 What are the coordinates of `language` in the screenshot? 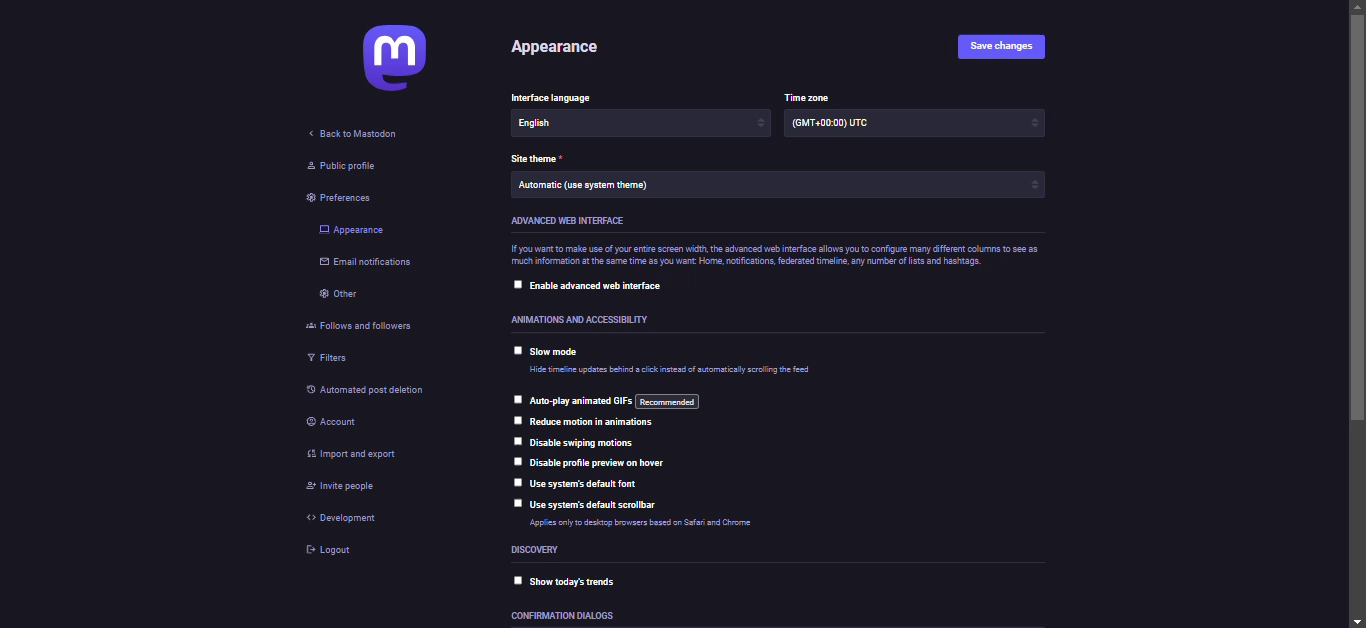 It's located at (570, 123).